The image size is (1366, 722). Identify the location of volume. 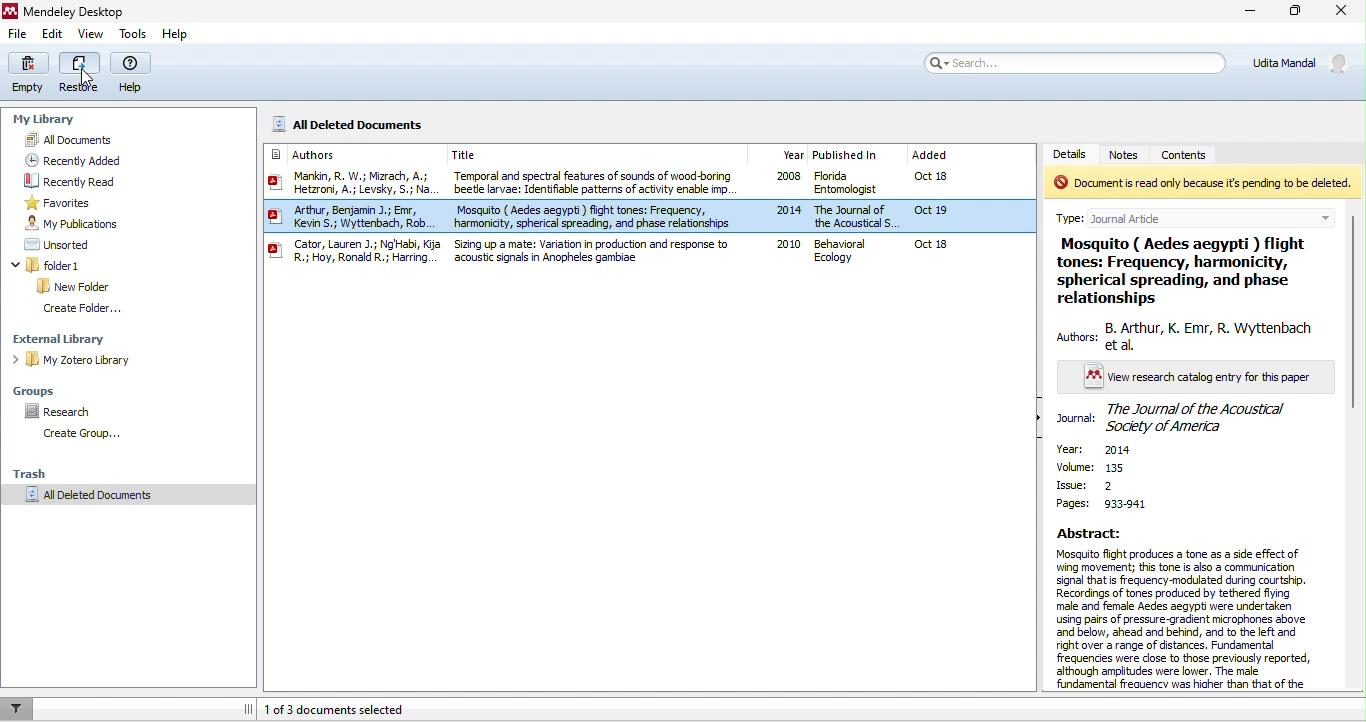
(1103, 468).